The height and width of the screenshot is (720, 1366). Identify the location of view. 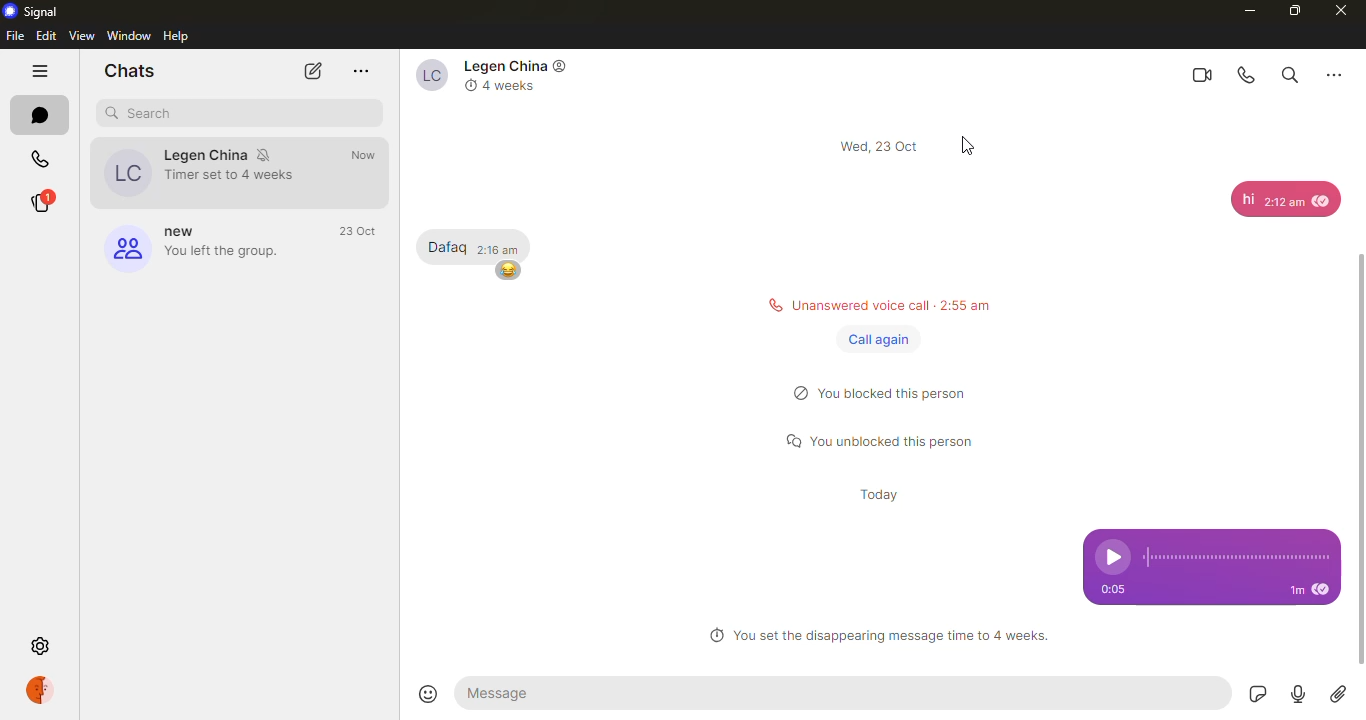
(81, 36).